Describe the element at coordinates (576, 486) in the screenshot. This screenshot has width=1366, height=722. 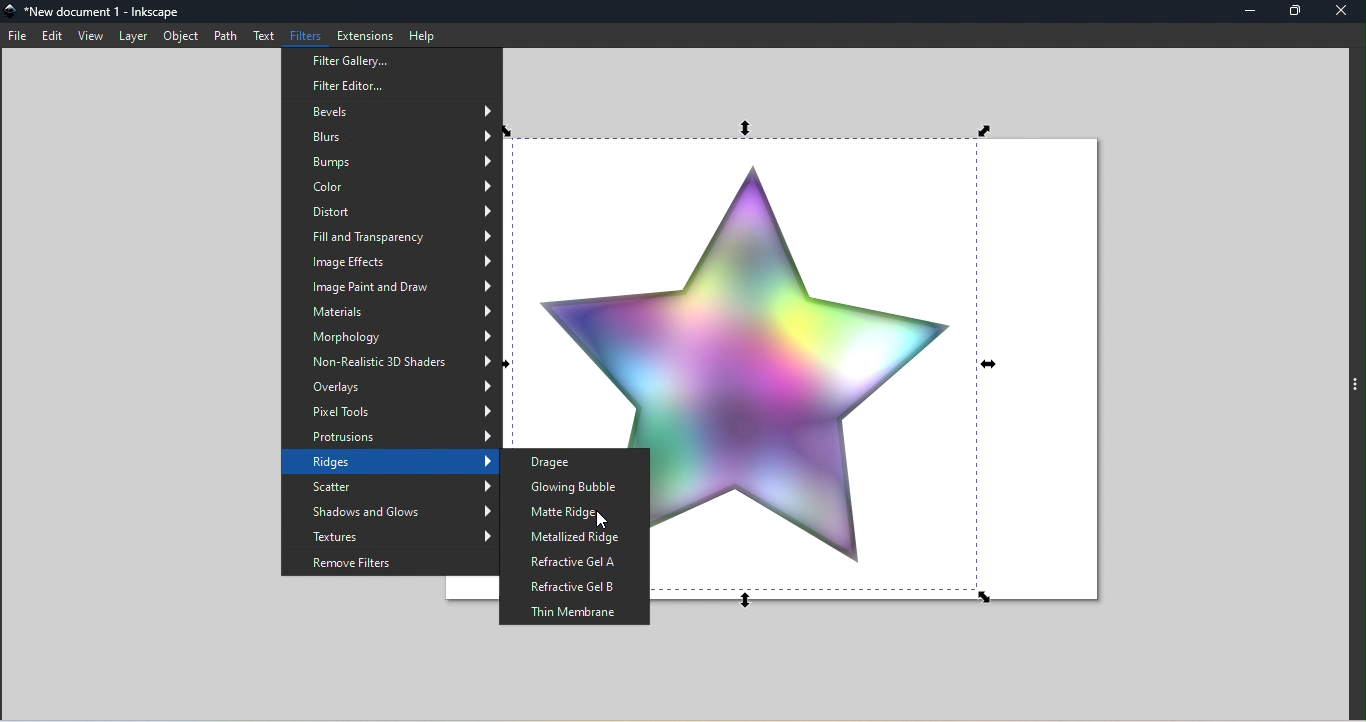
I see `Glowing` at that location.